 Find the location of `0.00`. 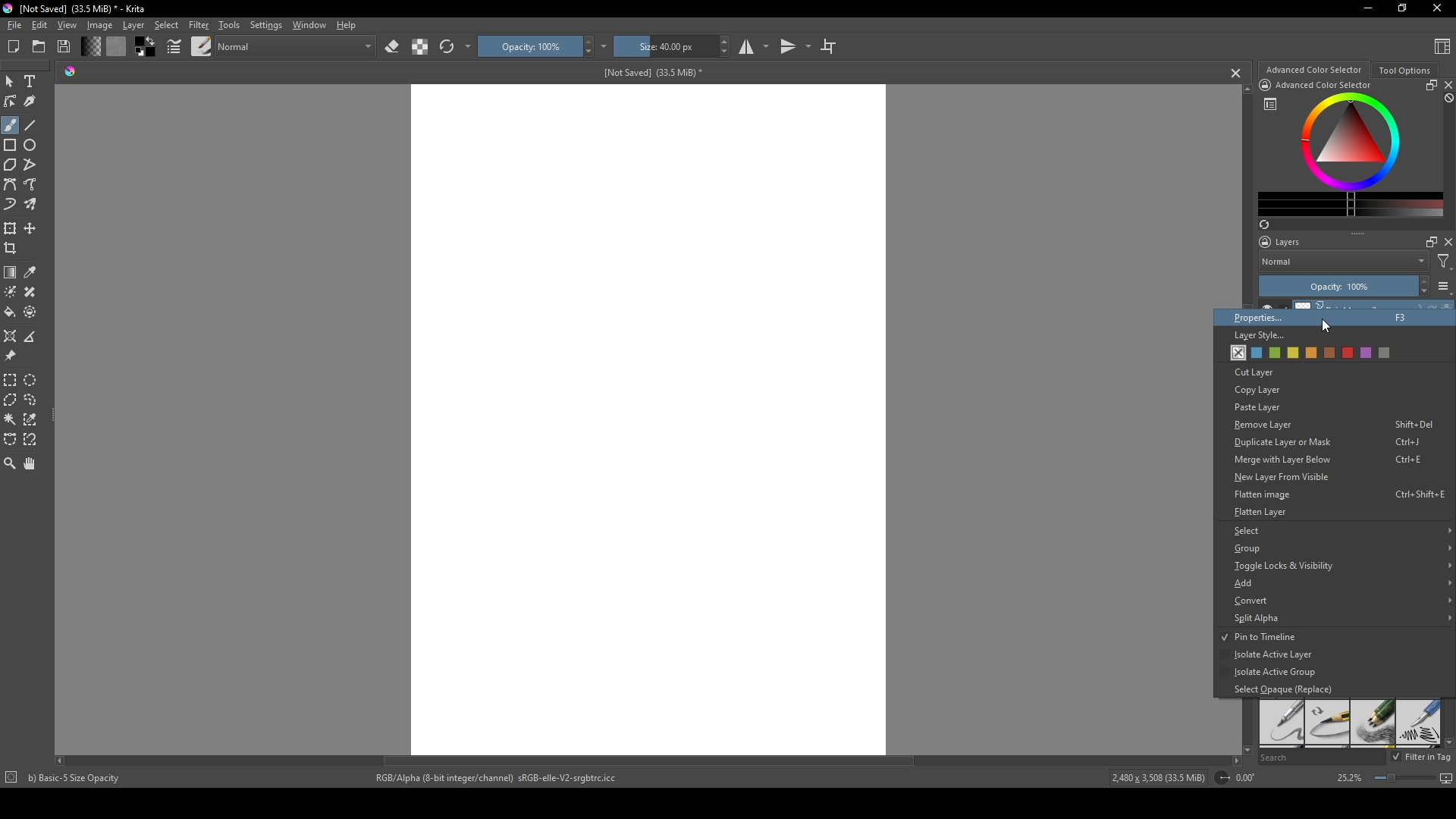

0.00 is located at coordinates (1250, 778).